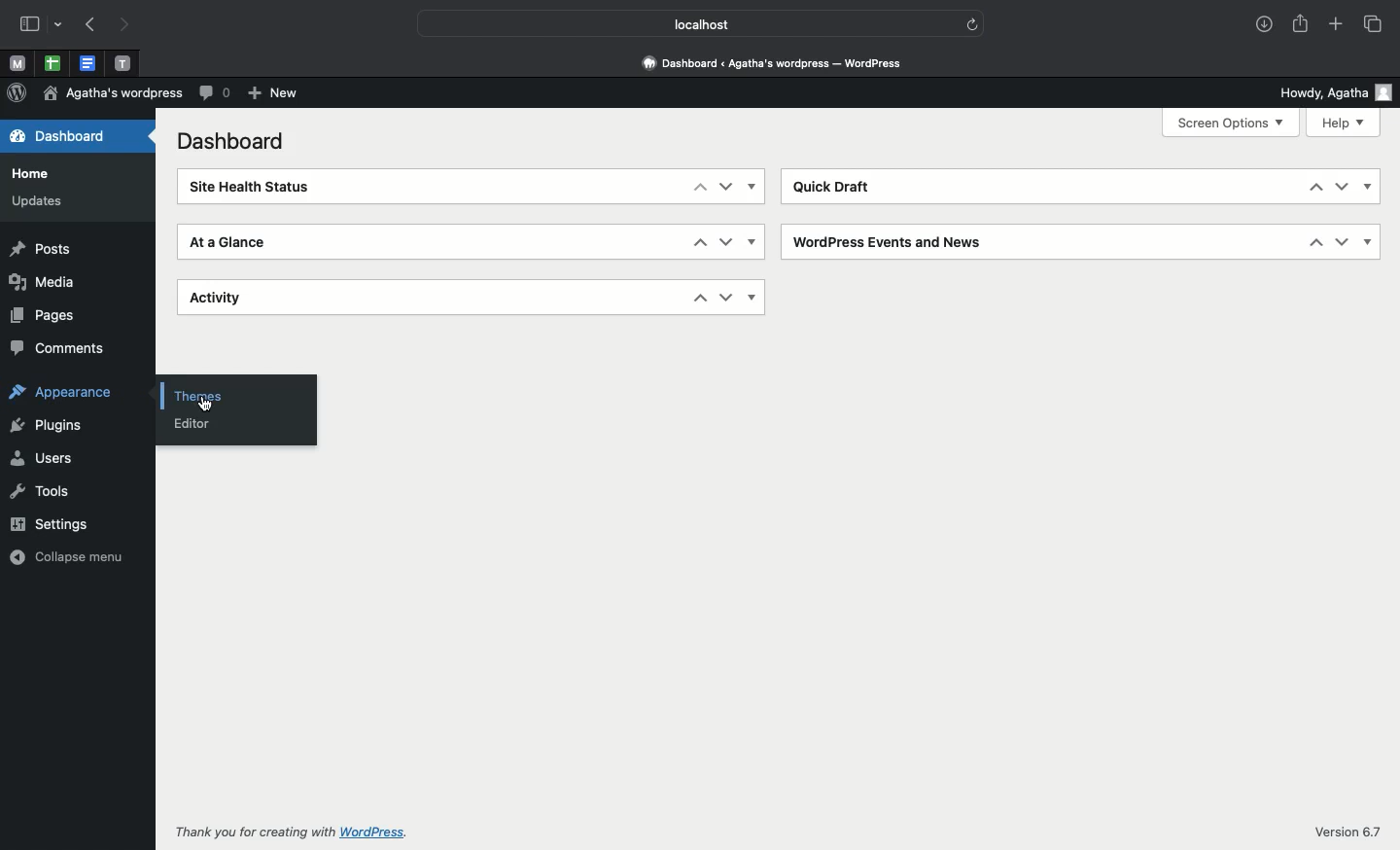 This screenshot has width=1400, height=850. Describe the element at coordinates (89, 64) in the screenshot. I see `Pinned tab` at that location.